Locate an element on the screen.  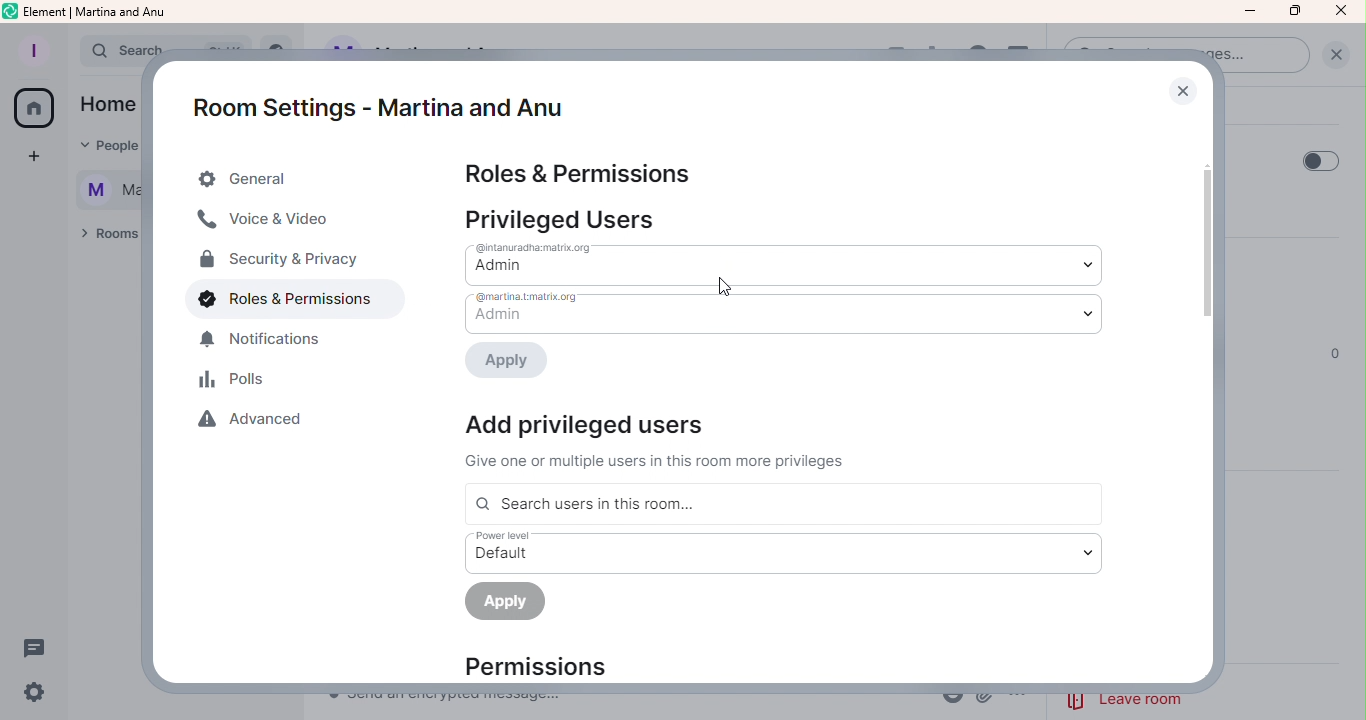
Voice and video is located at coordinates (268, 222).